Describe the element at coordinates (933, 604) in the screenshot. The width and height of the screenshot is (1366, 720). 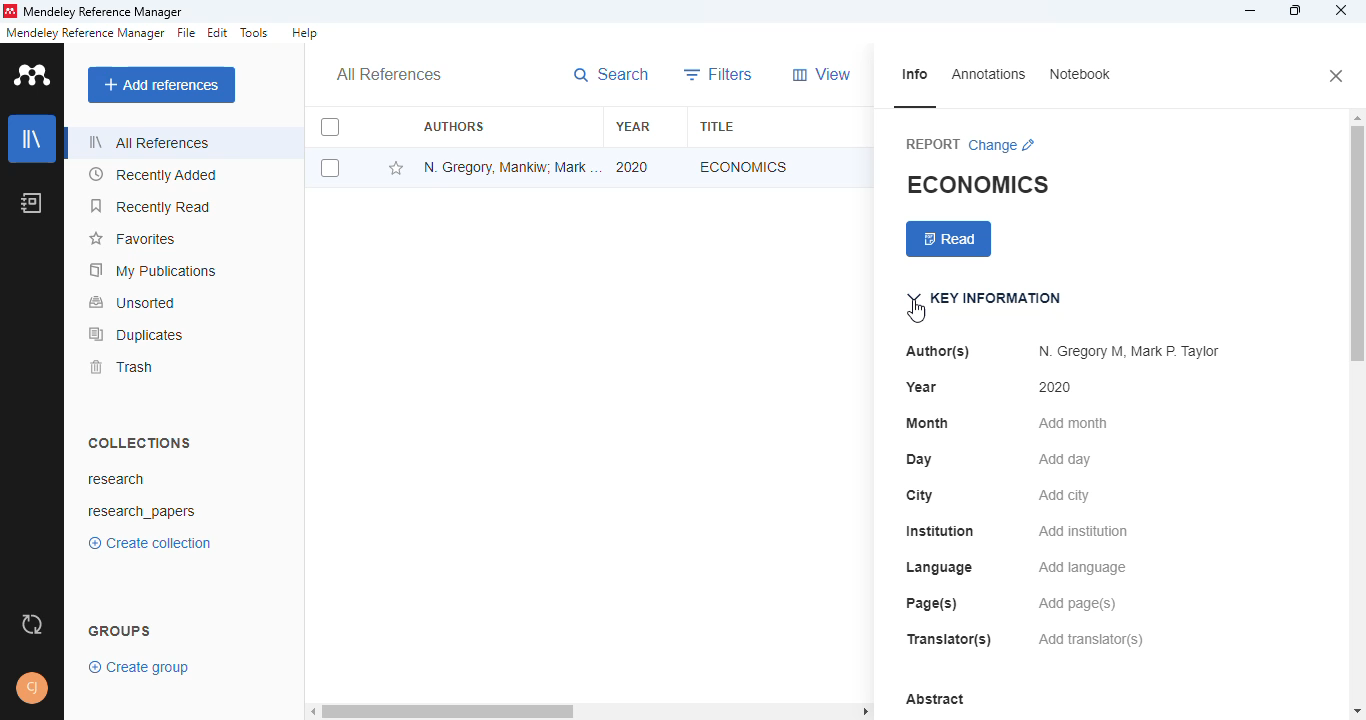
I see `page(s)` at that location.